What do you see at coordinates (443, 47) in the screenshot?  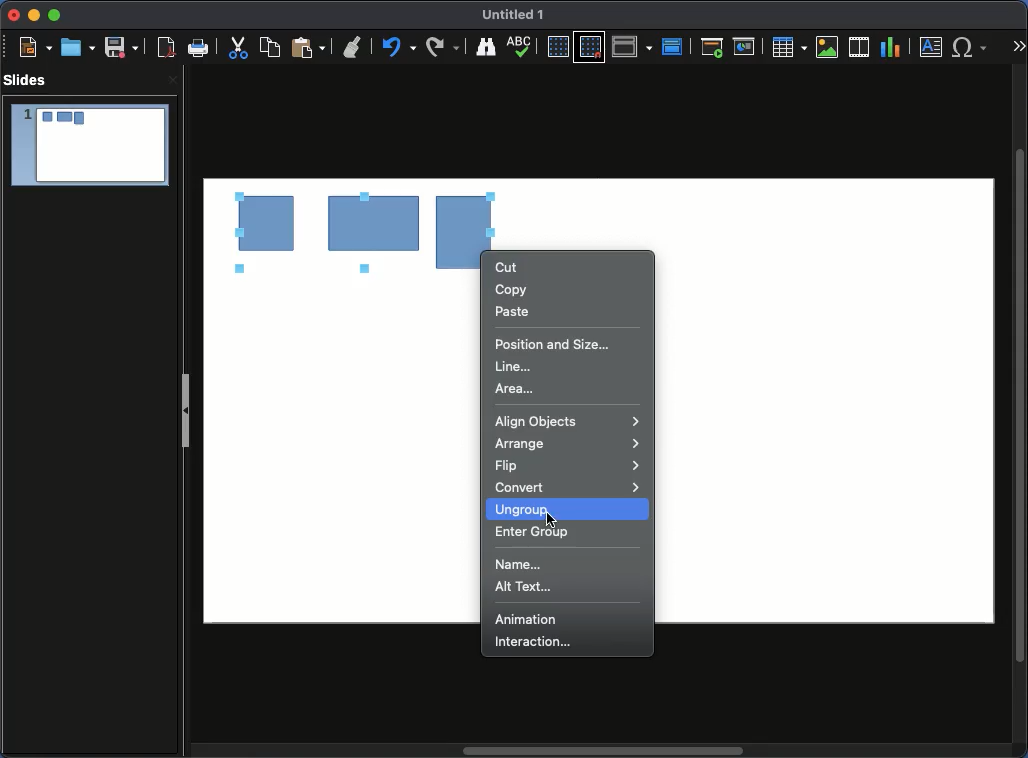 I see `Finding` at bounding box center [443, 47].